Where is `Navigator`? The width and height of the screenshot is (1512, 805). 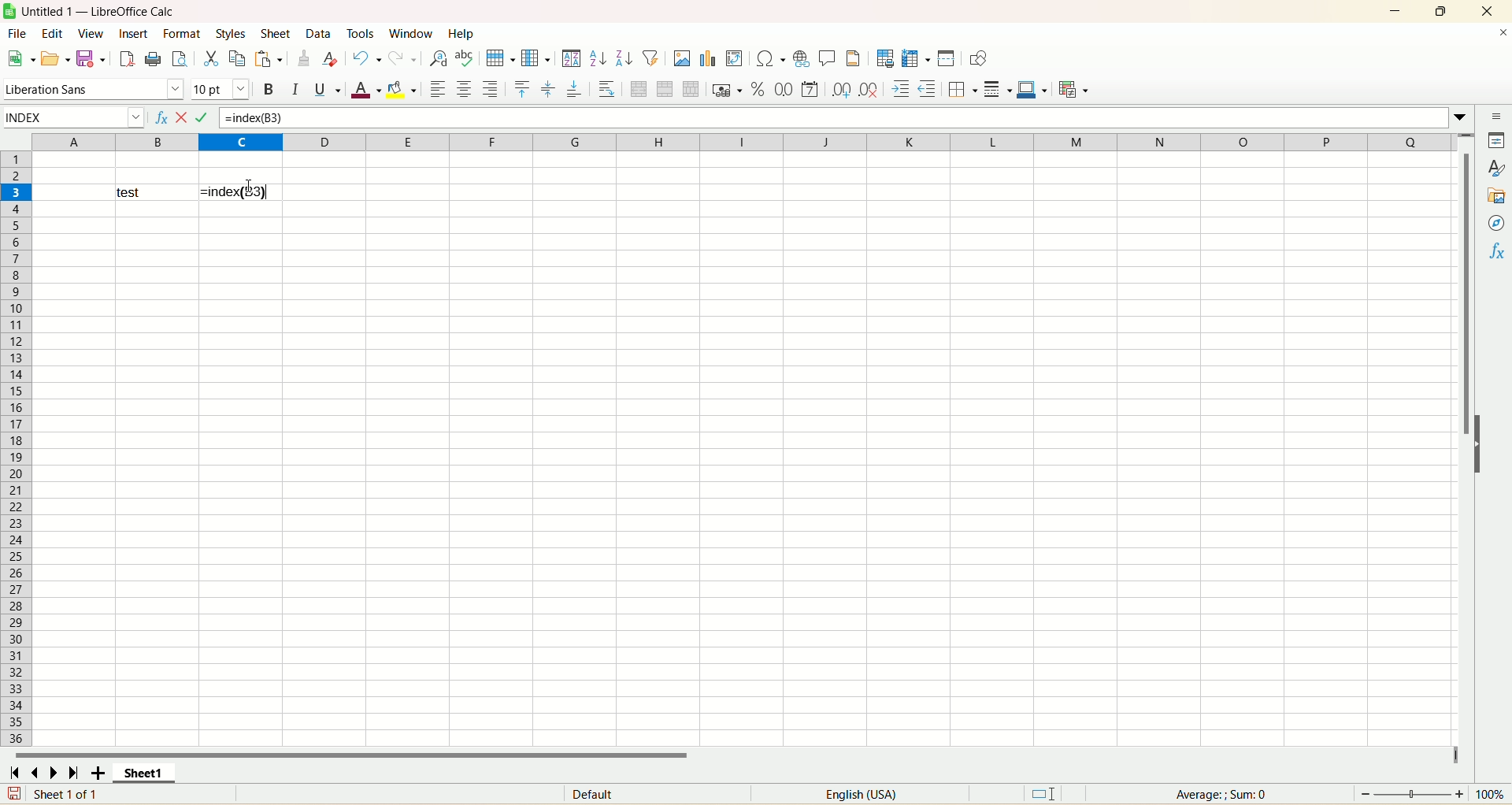
Navigator is located at coordinates (1495, 223).